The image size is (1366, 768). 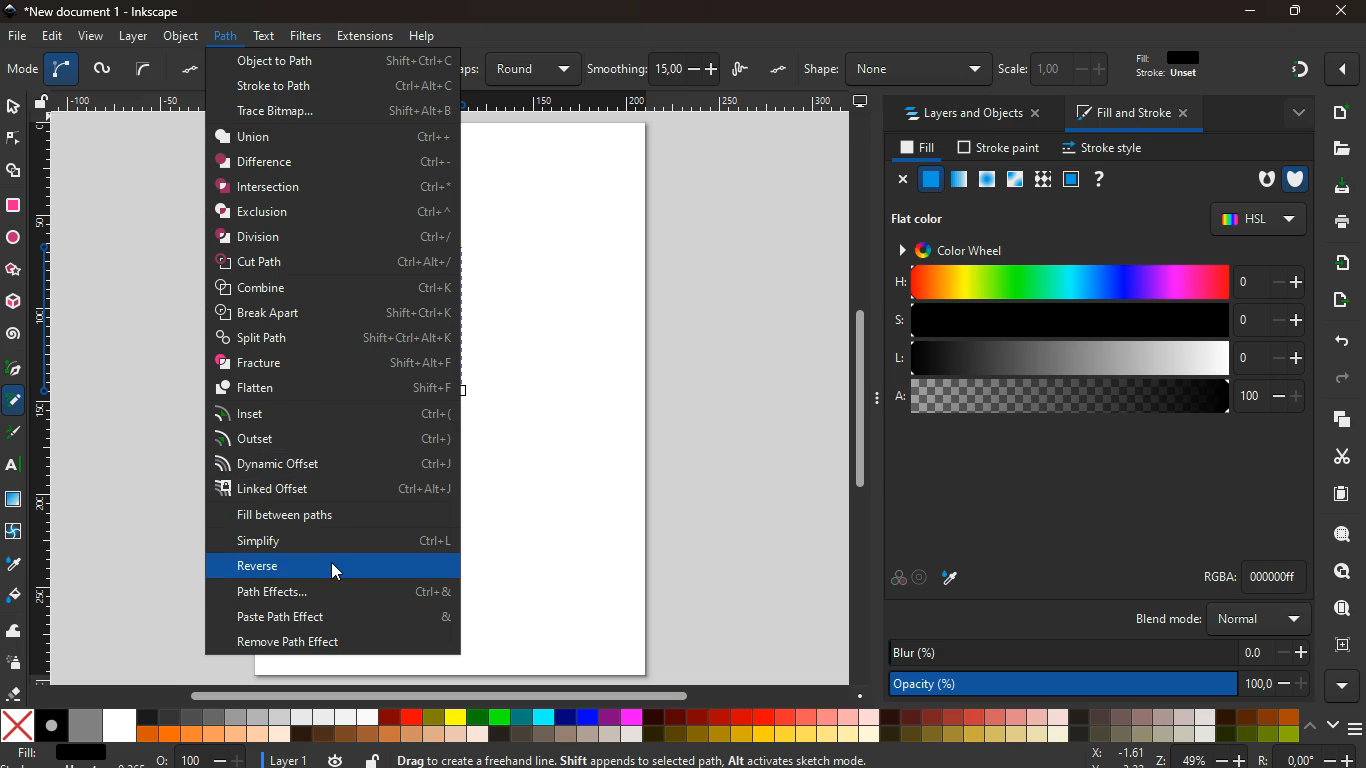 What do you see at coordinates (1100, 685) in the screenshot?
I see `opacity` at bounding box center [1100, 685].